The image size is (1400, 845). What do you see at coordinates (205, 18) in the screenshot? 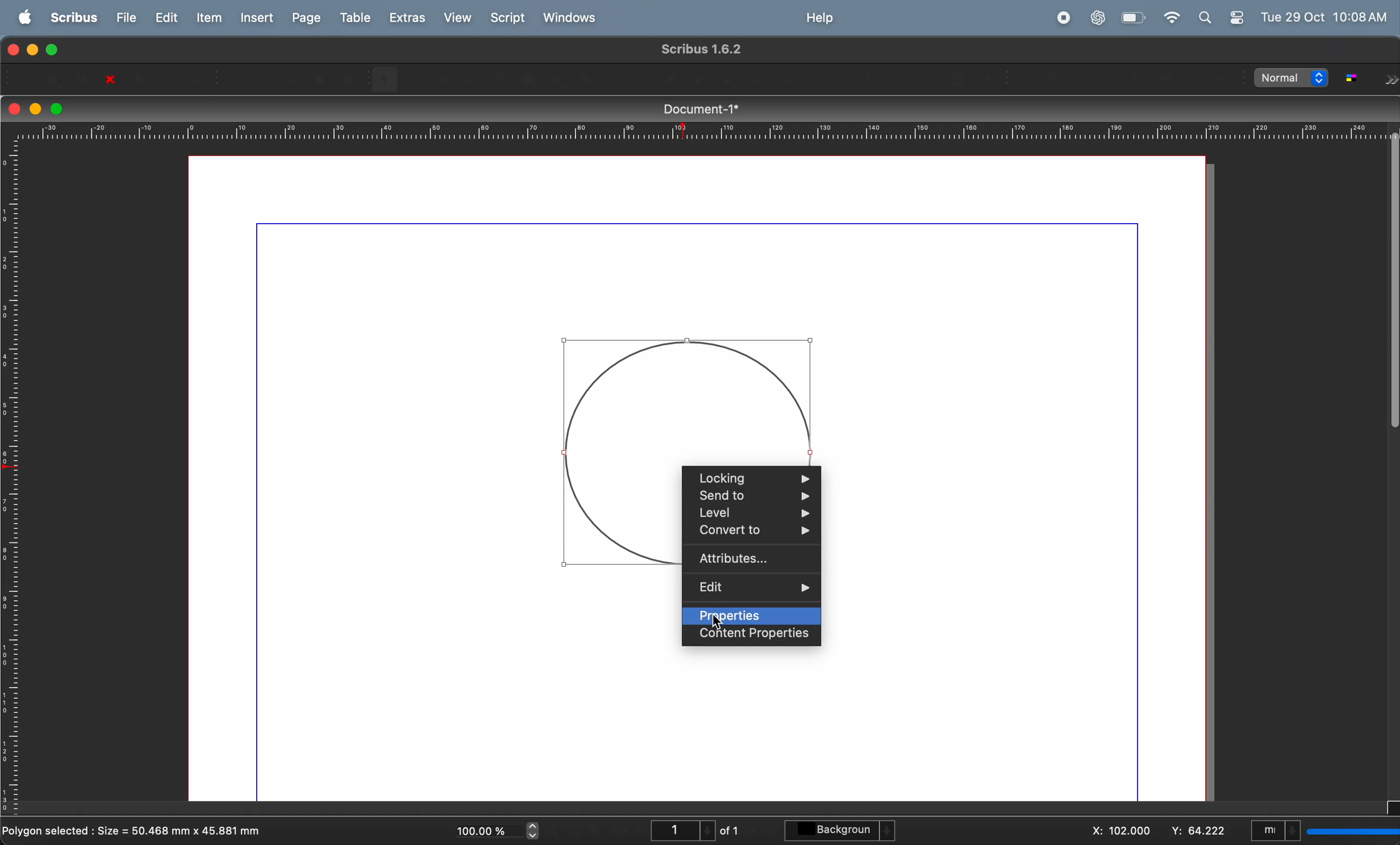
I see `item` at bounding box center [205, 18].